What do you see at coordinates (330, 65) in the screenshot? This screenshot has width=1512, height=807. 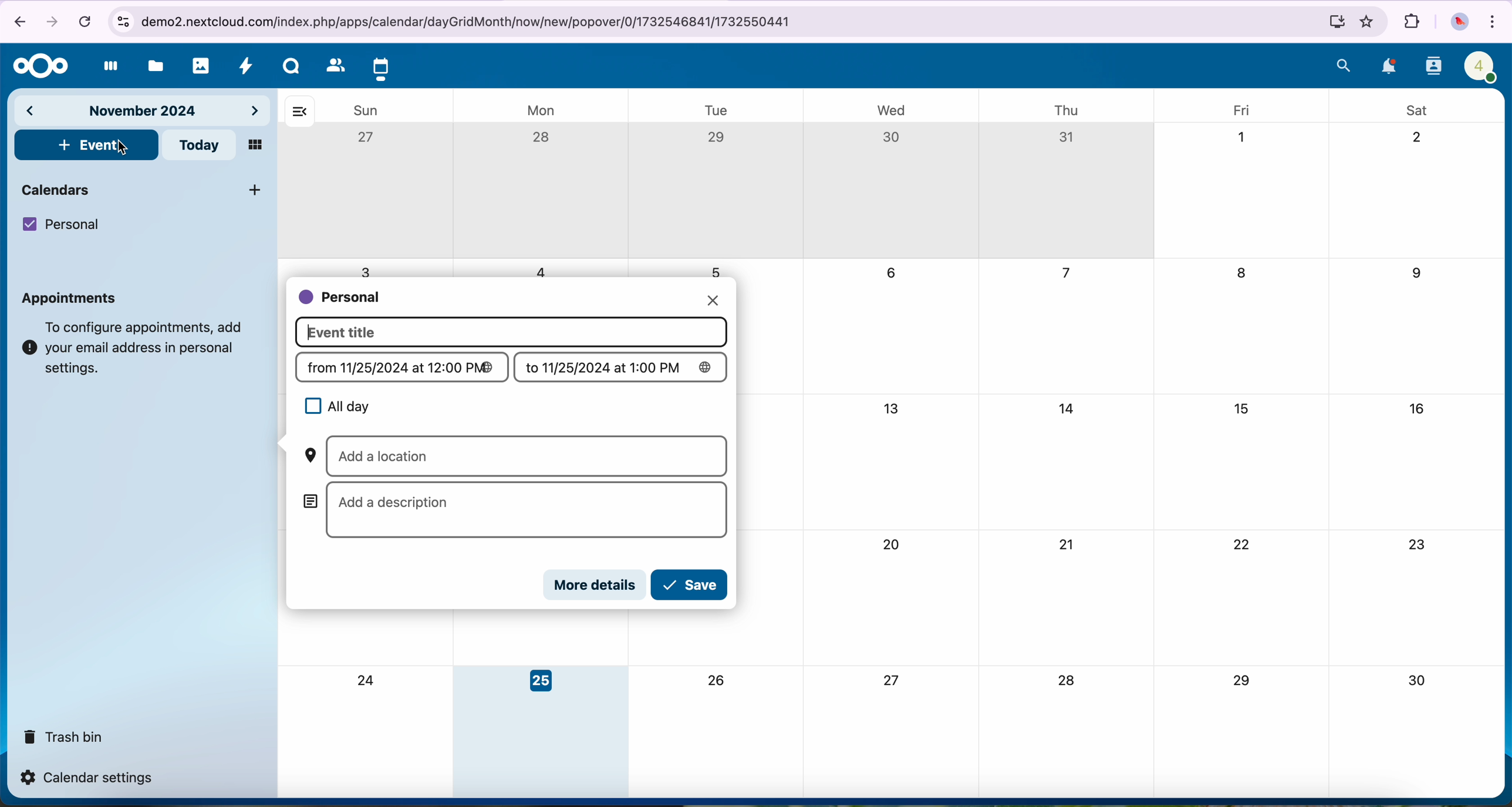 I see `contacts` at bounding box center [330, 65].